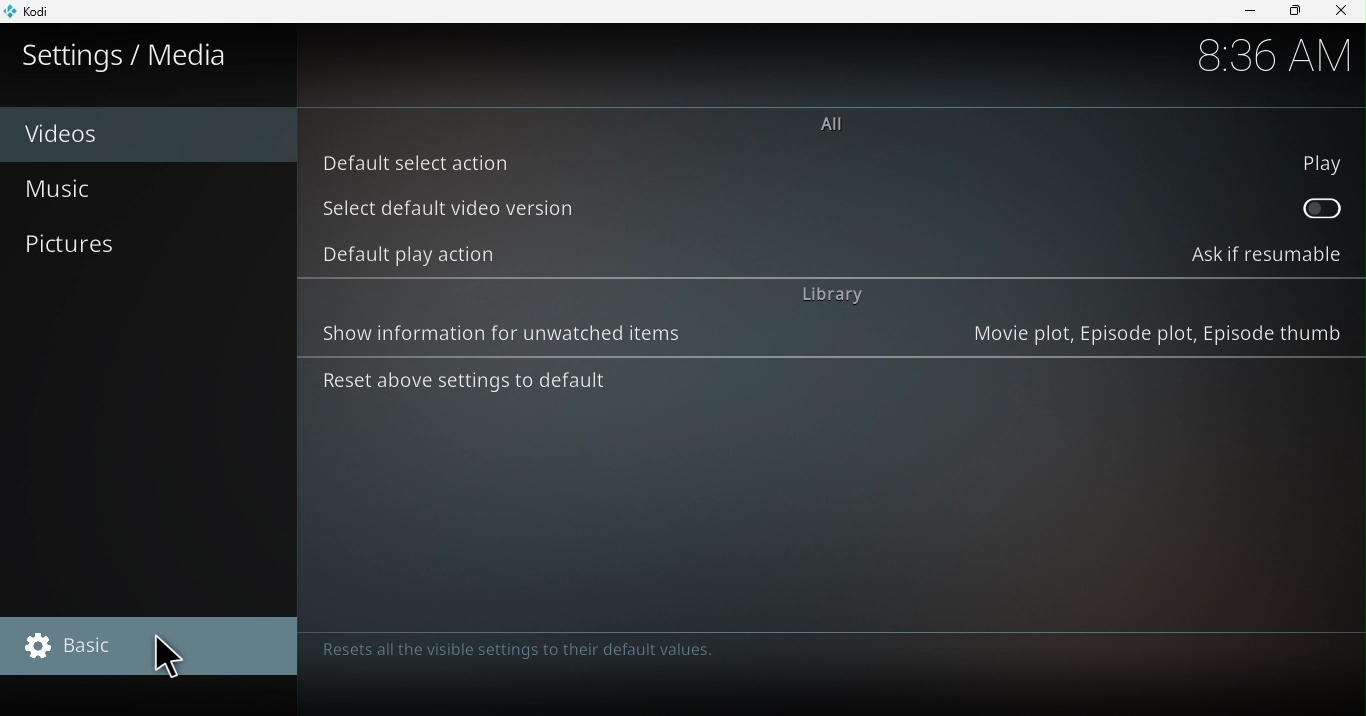 This screenshot has width=1366, height=716. Describe the element at coordinates (834, 294) in the screenshot. I see `Library` at that location.